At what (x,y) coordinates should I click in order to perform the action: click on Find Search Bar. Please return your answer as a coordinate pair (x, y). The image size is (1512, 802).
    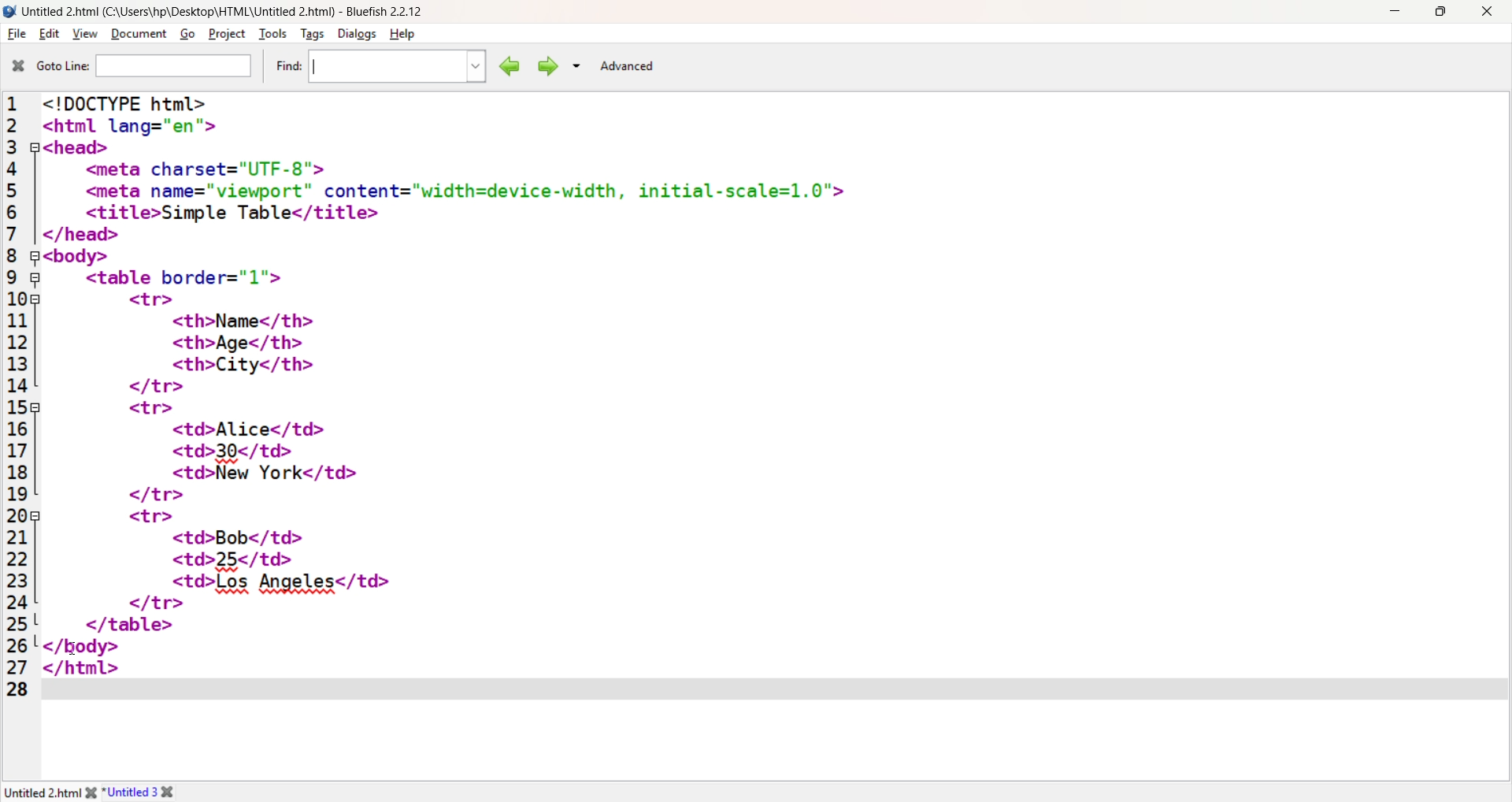
    Looking at the image, I should click on (380, 65).